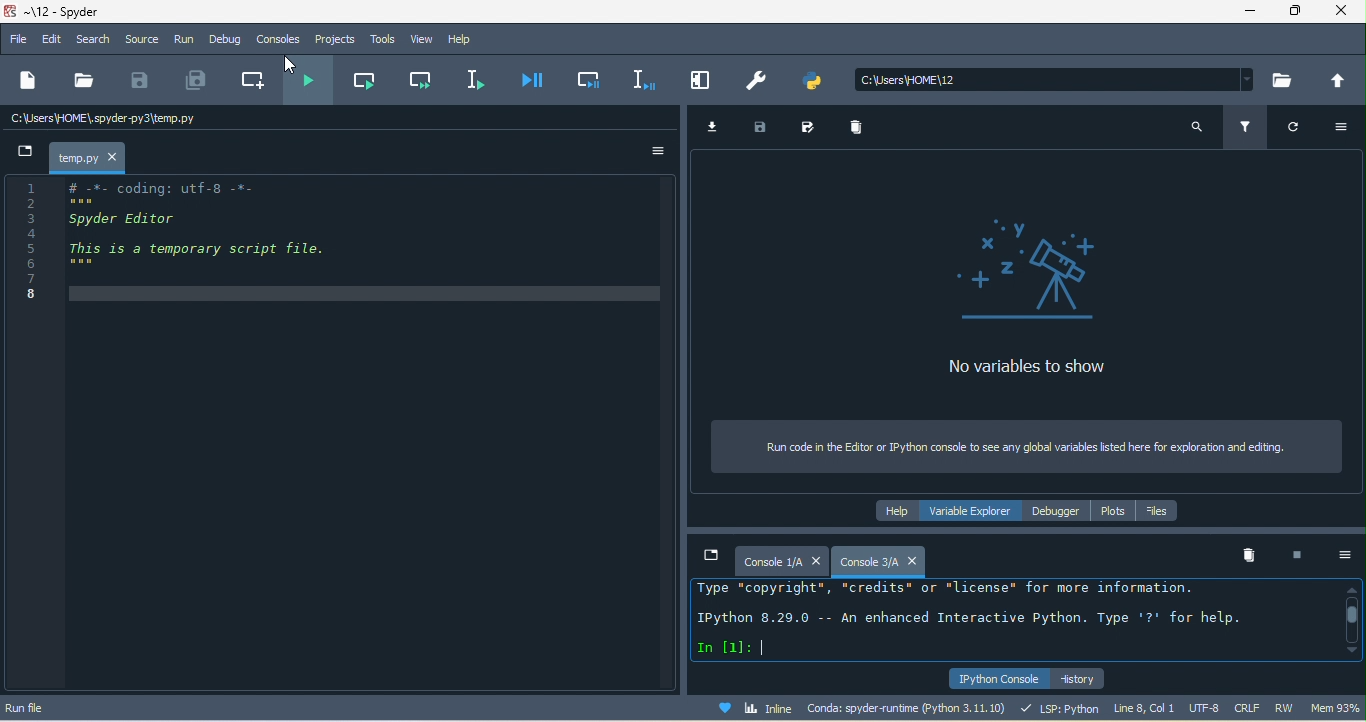 The height and width of the screenshot is (722, 1366). I want to click on browse, so click(1284, 79).